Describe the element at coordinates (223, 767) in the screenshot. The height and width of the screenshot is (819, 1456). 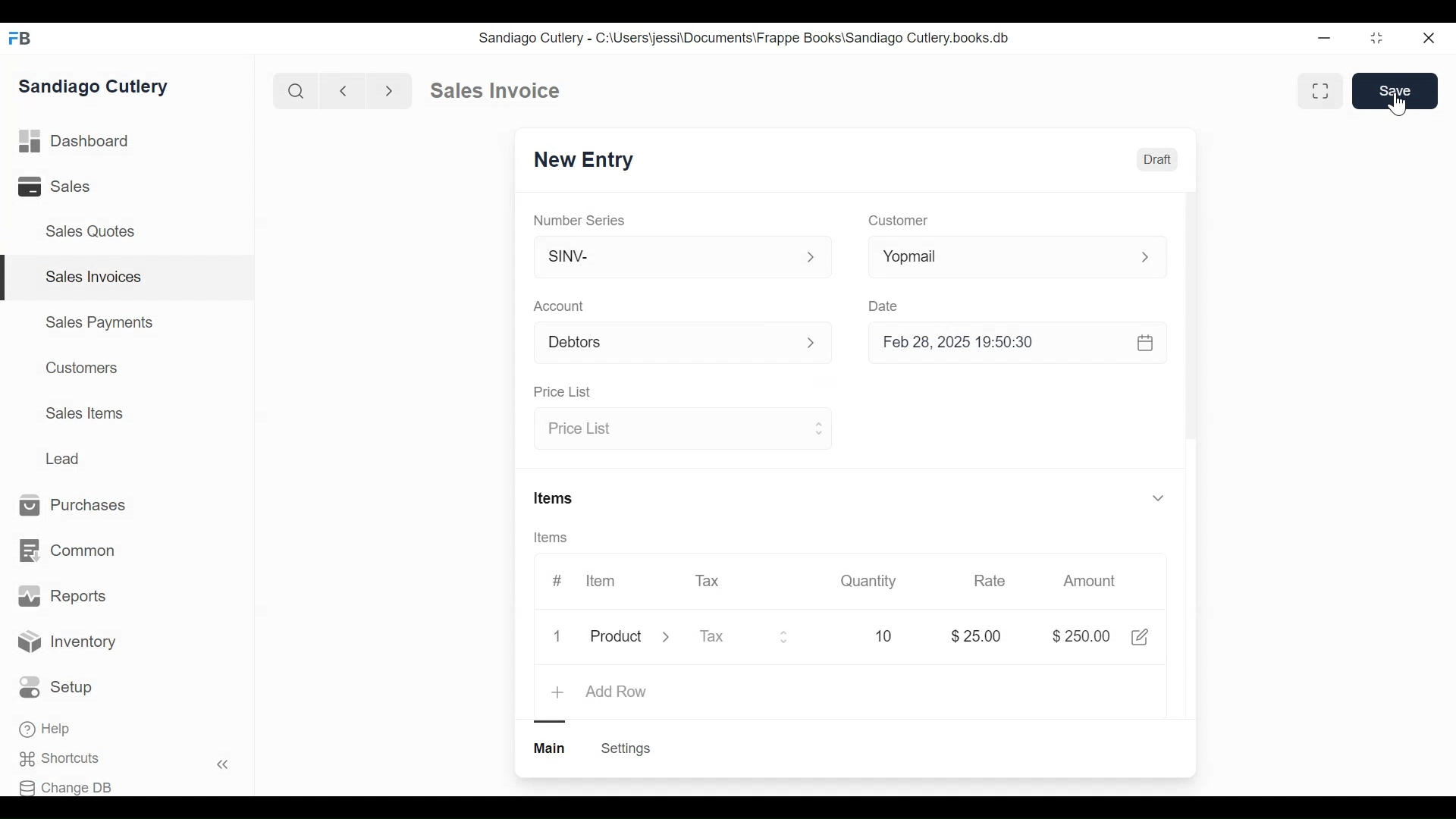
I see `«` at that location.